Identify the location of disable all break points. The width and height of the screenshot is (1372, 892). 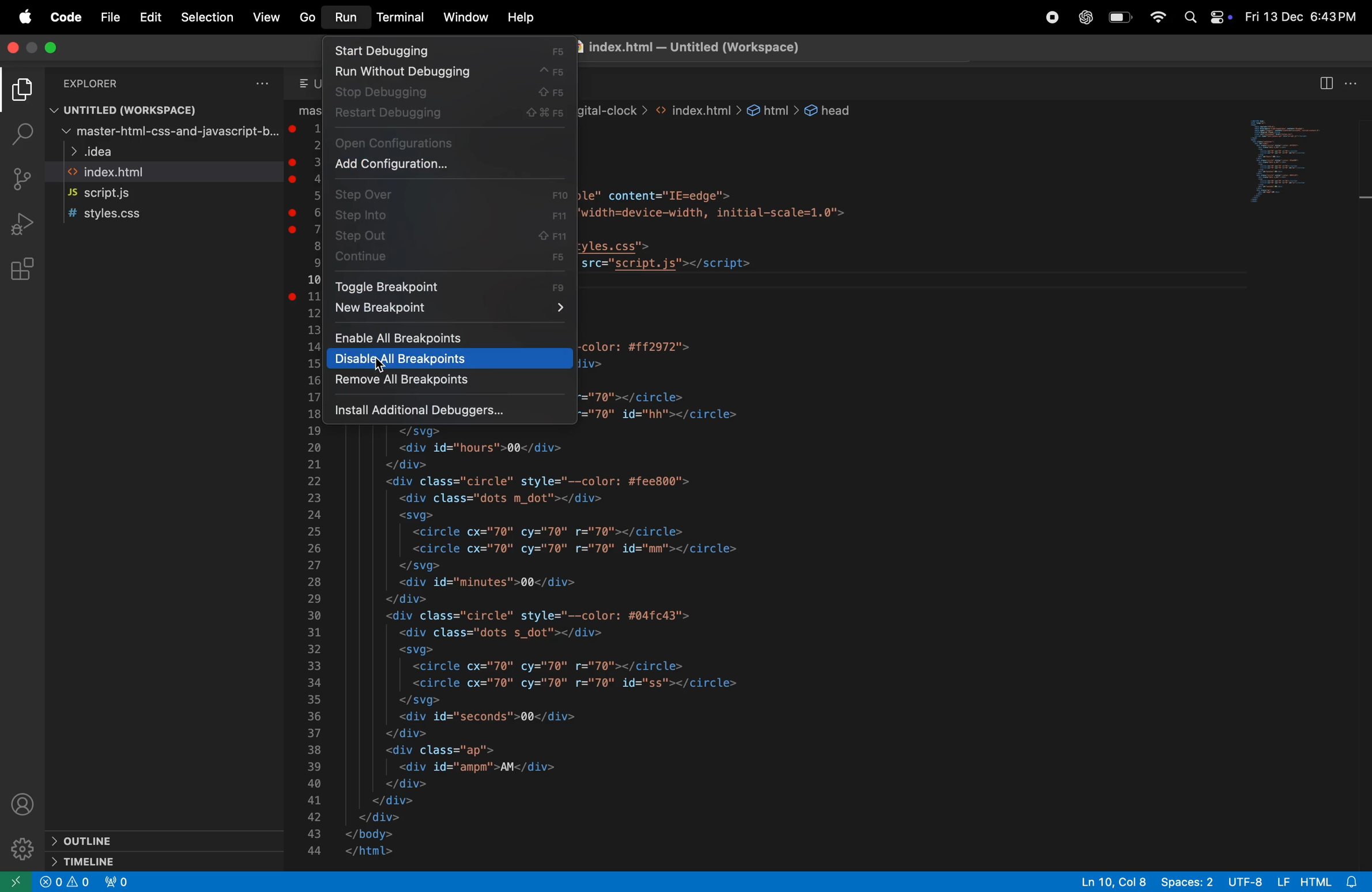
(453, 359).